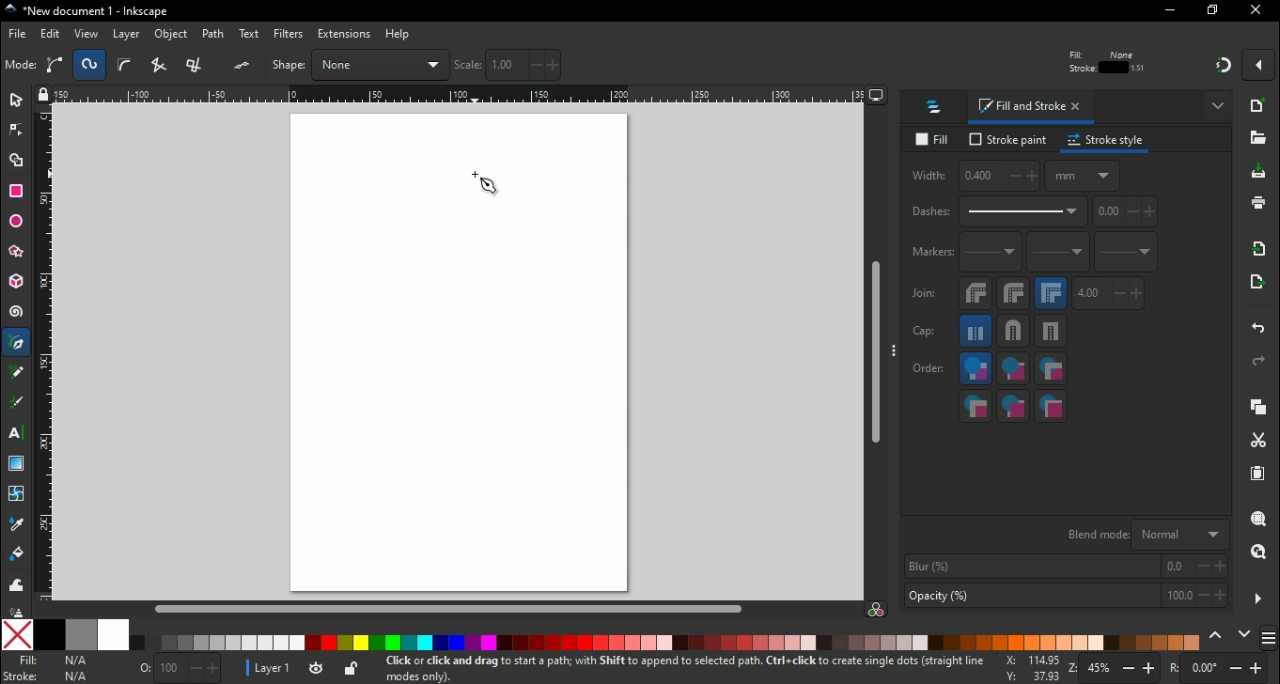  What do you see at coordinates (508, 65) in the screenshot?
I see `scale` at bounding box center [508, 65].